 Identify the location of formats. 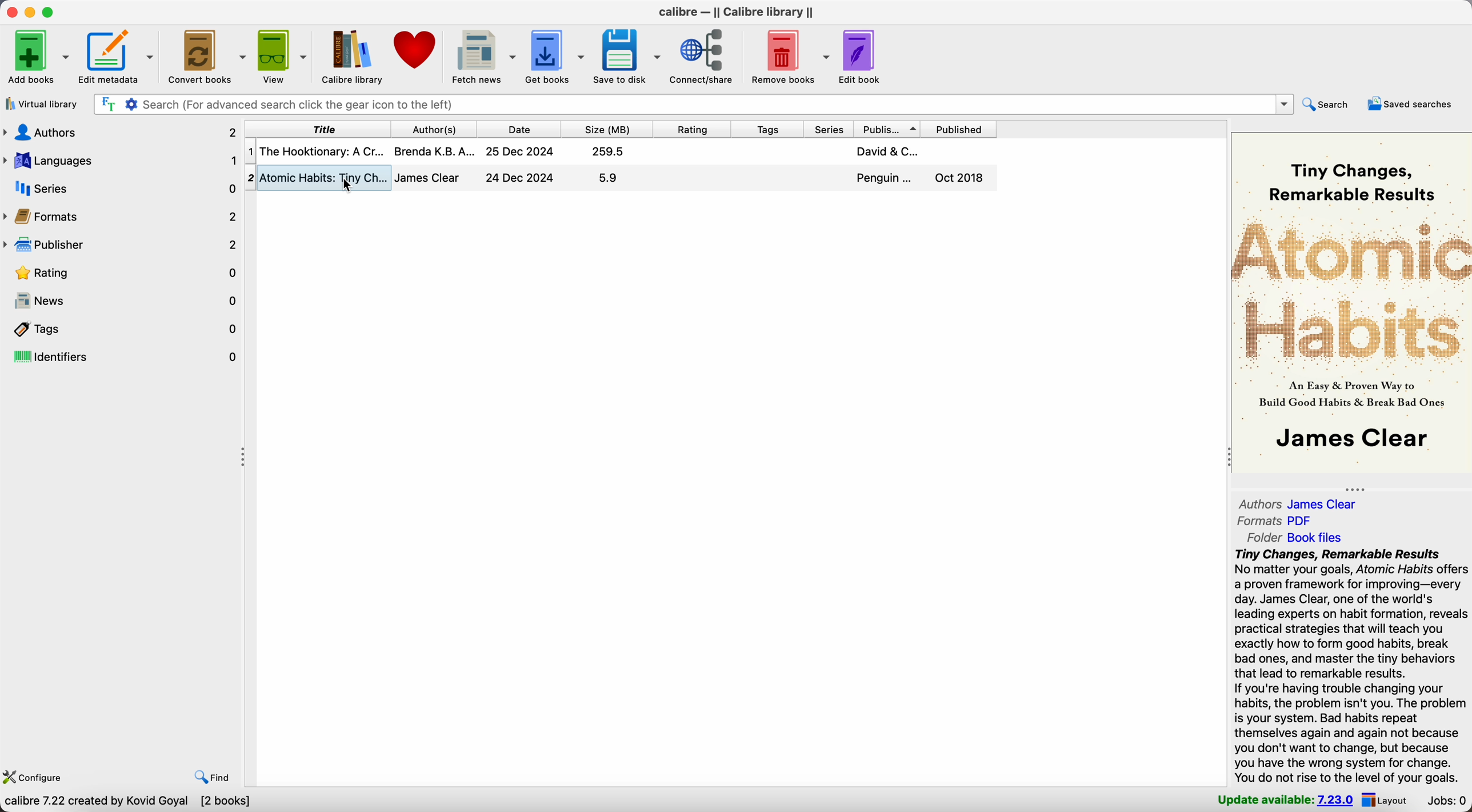
(122, 216).